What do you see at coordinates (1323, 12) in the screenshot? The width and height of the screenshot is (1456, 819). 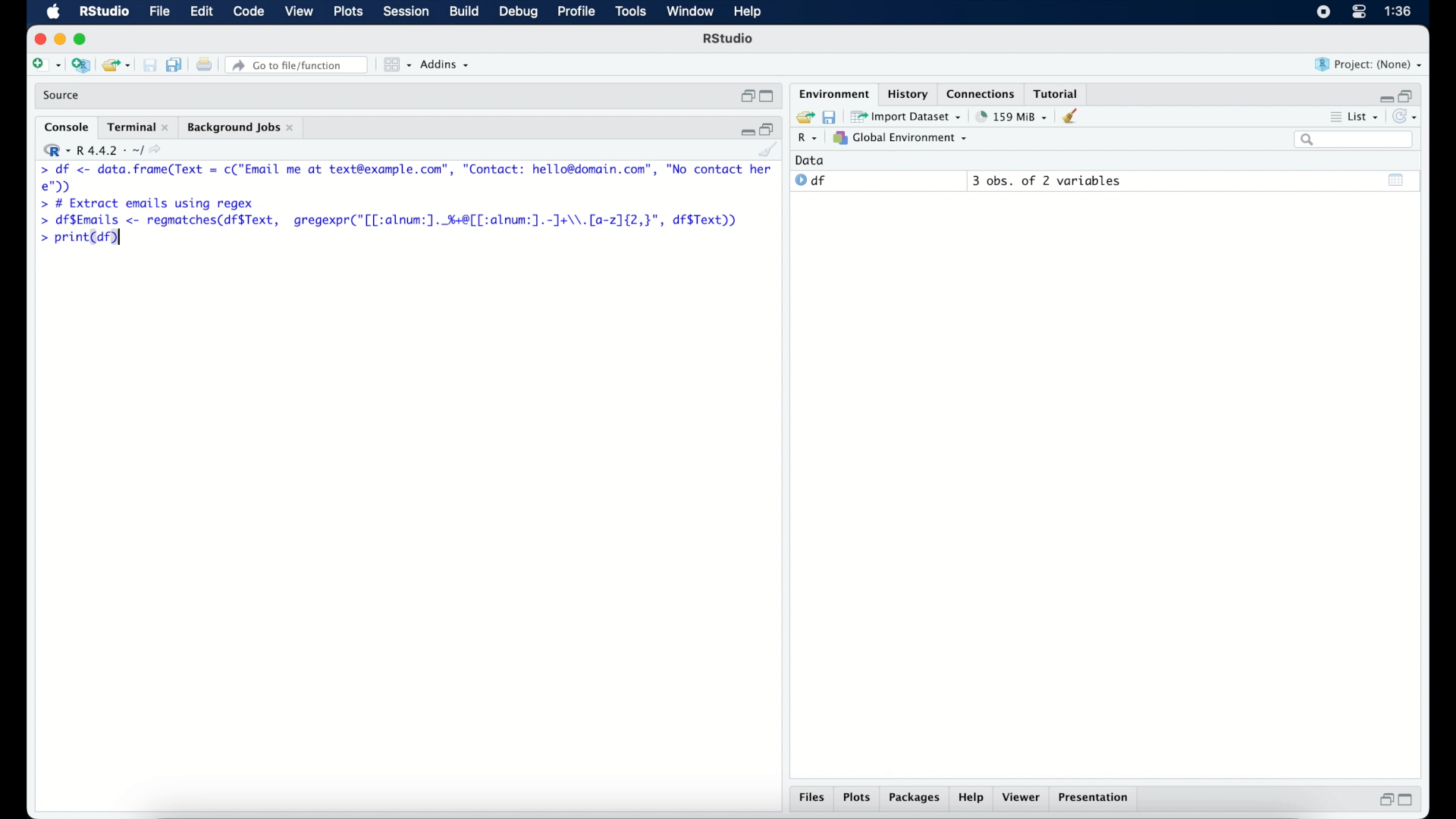 I see `screen recorder icon` at bounding box center [1323, 12].